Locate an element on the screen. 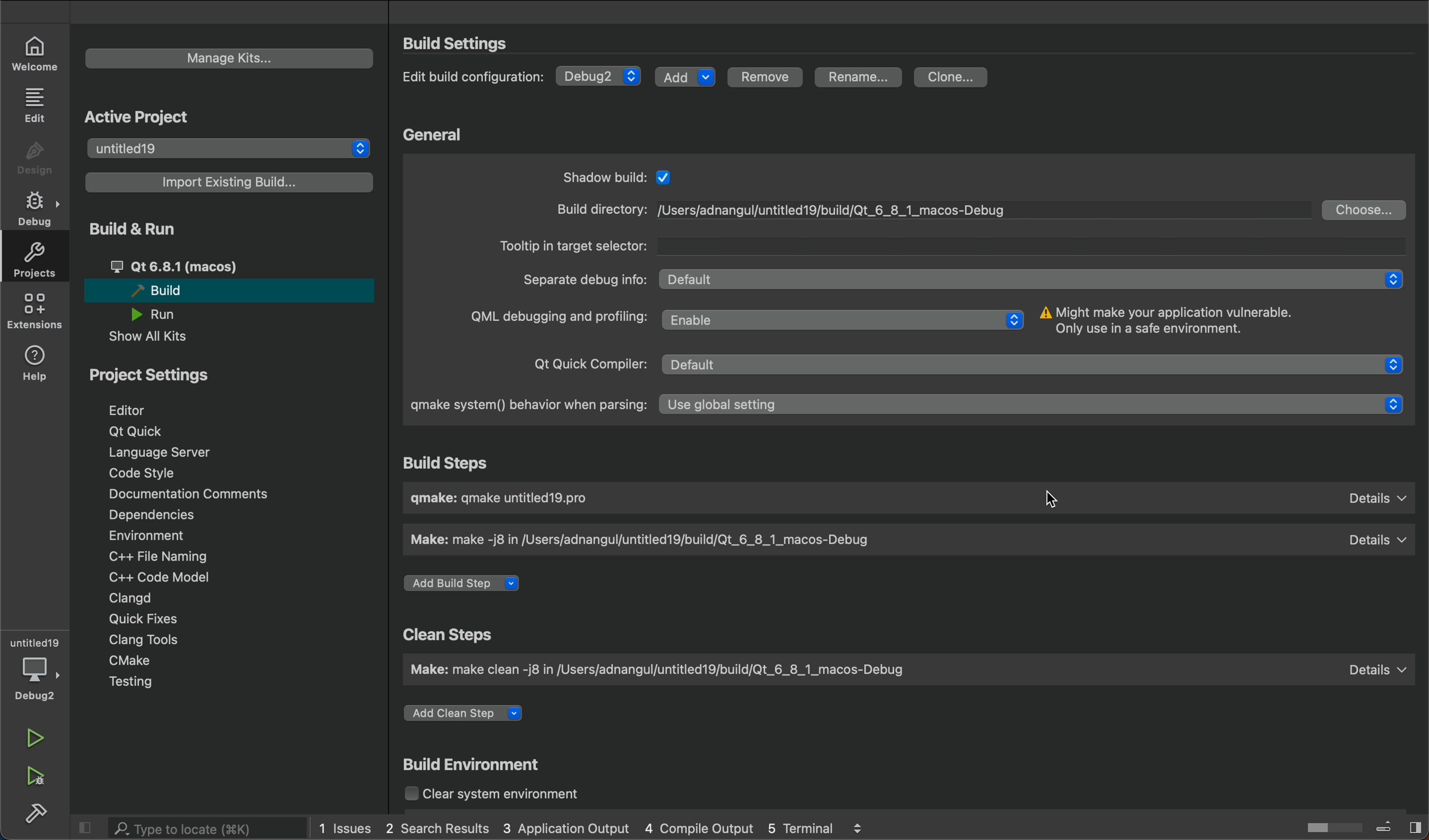  qml debugging is located at coordinates (556, 319).